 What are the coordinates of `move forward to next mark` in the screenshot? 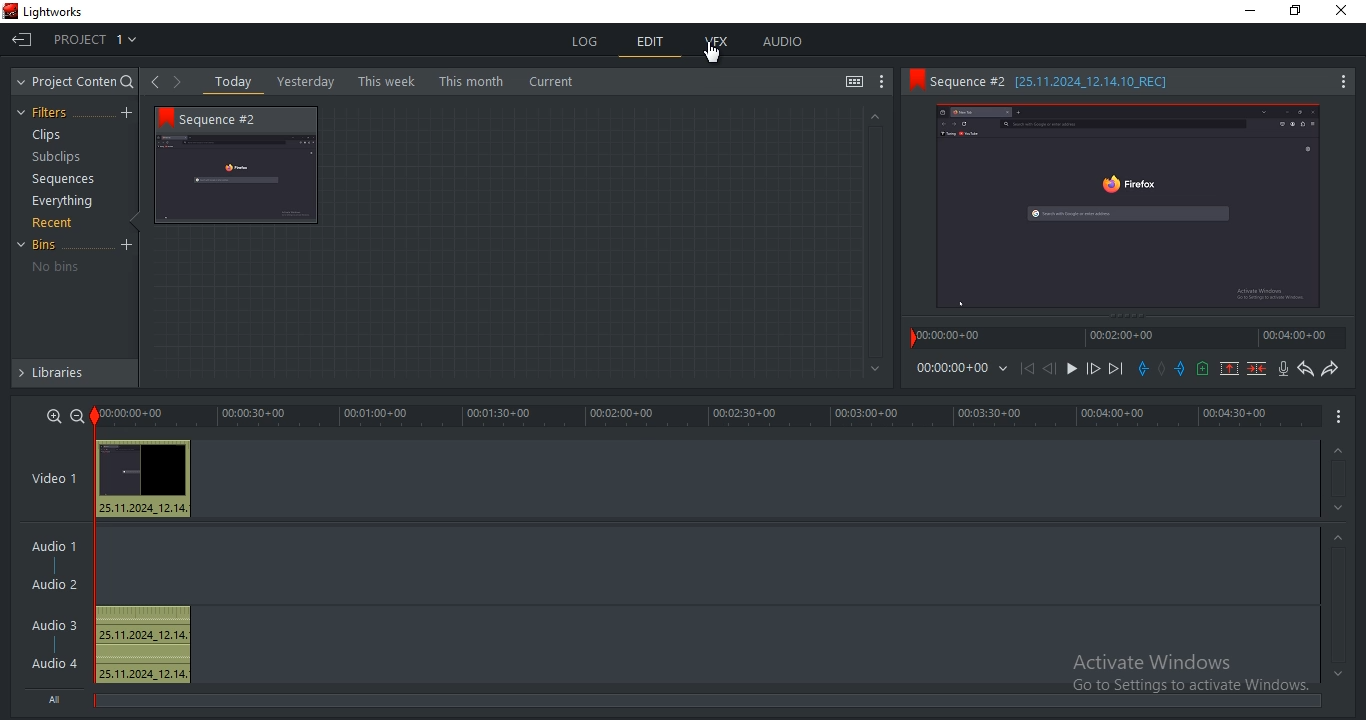 It's located at (1115, 368).